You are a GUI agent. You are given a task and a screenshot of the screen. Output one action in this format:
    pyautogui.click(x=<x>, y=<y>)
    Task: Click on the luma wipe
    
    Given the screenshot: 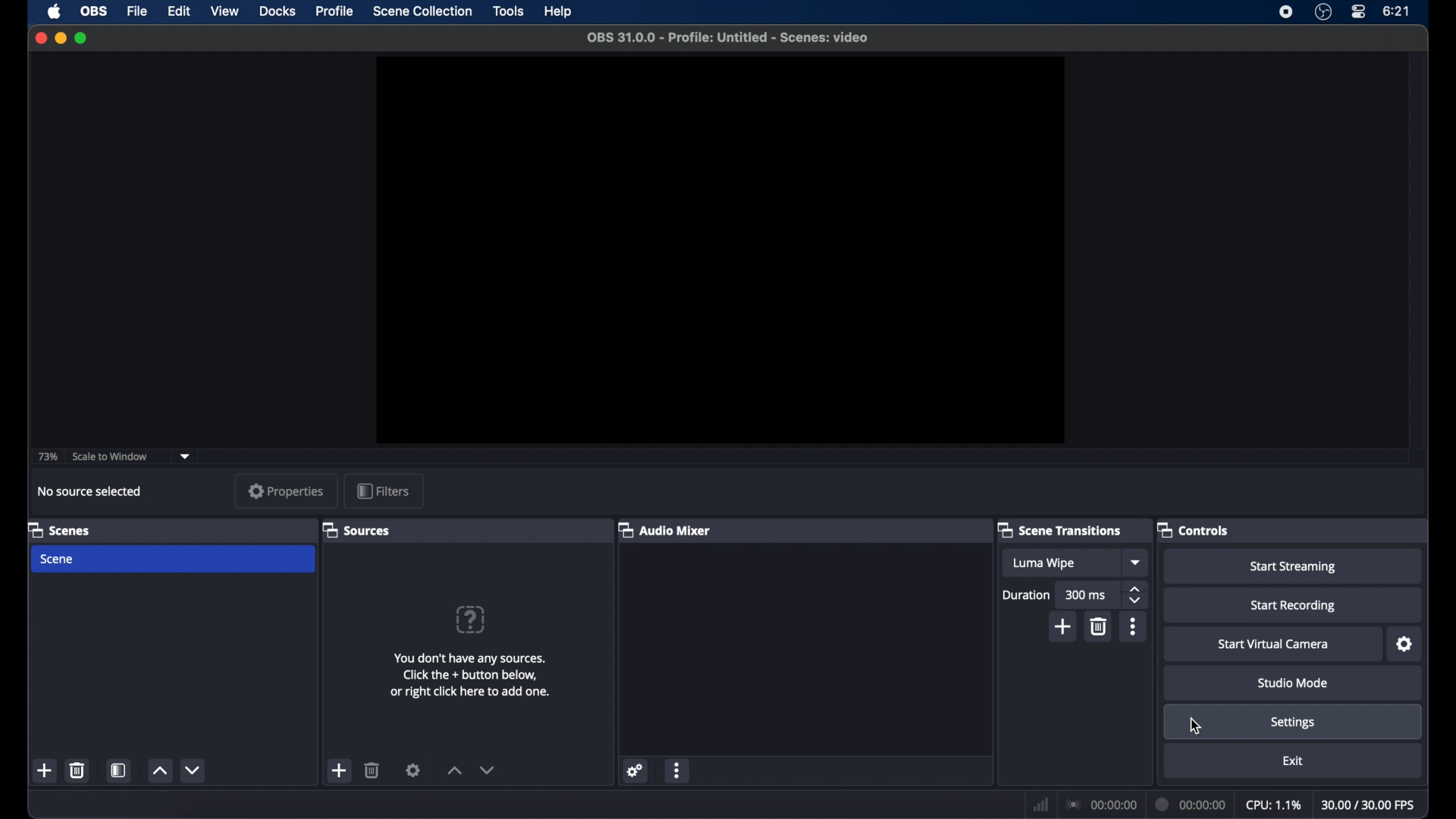 What is the action you would take?
    pyautogui.click(x=1043, y=563)
    